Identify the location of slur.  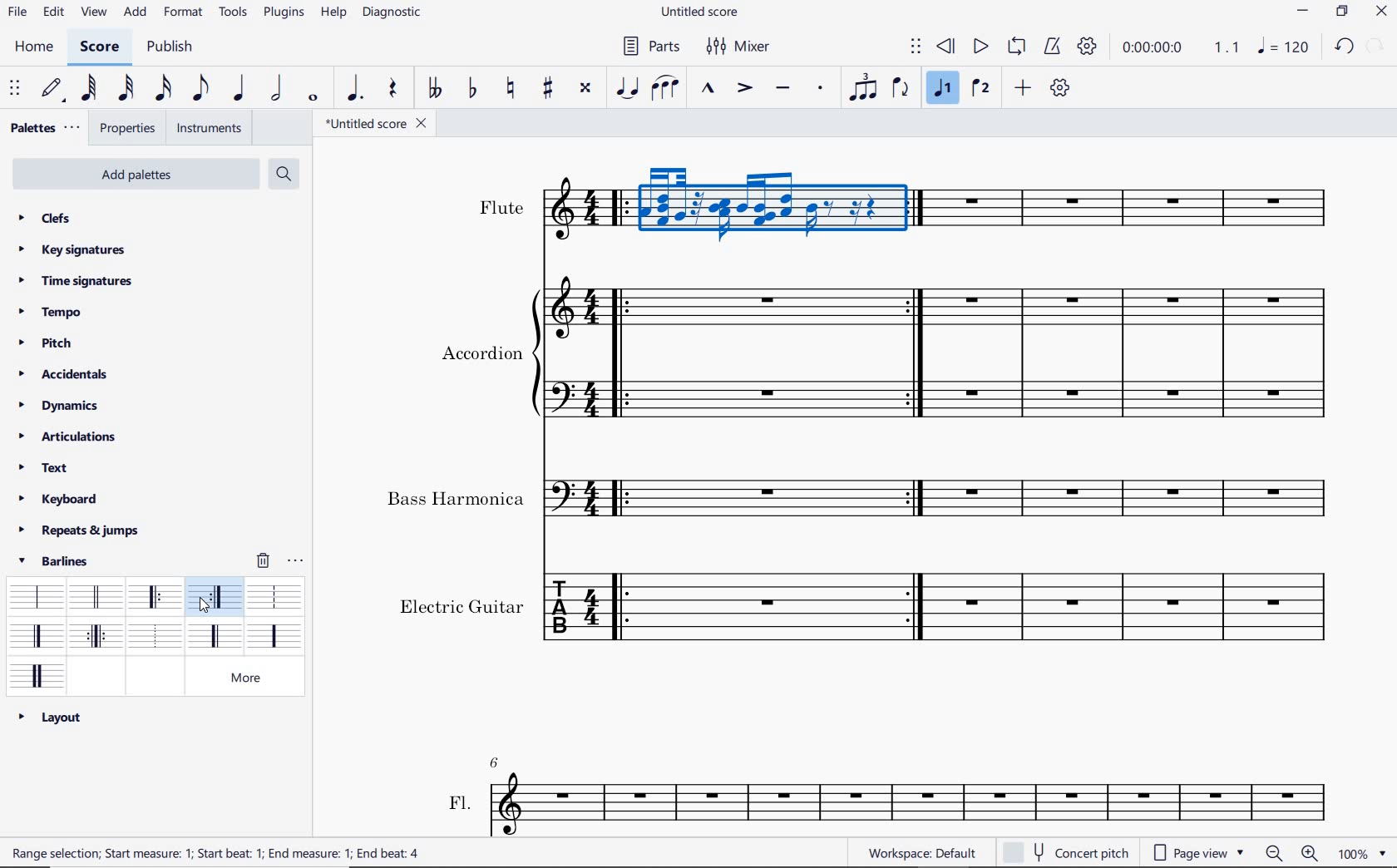
(665, 89).